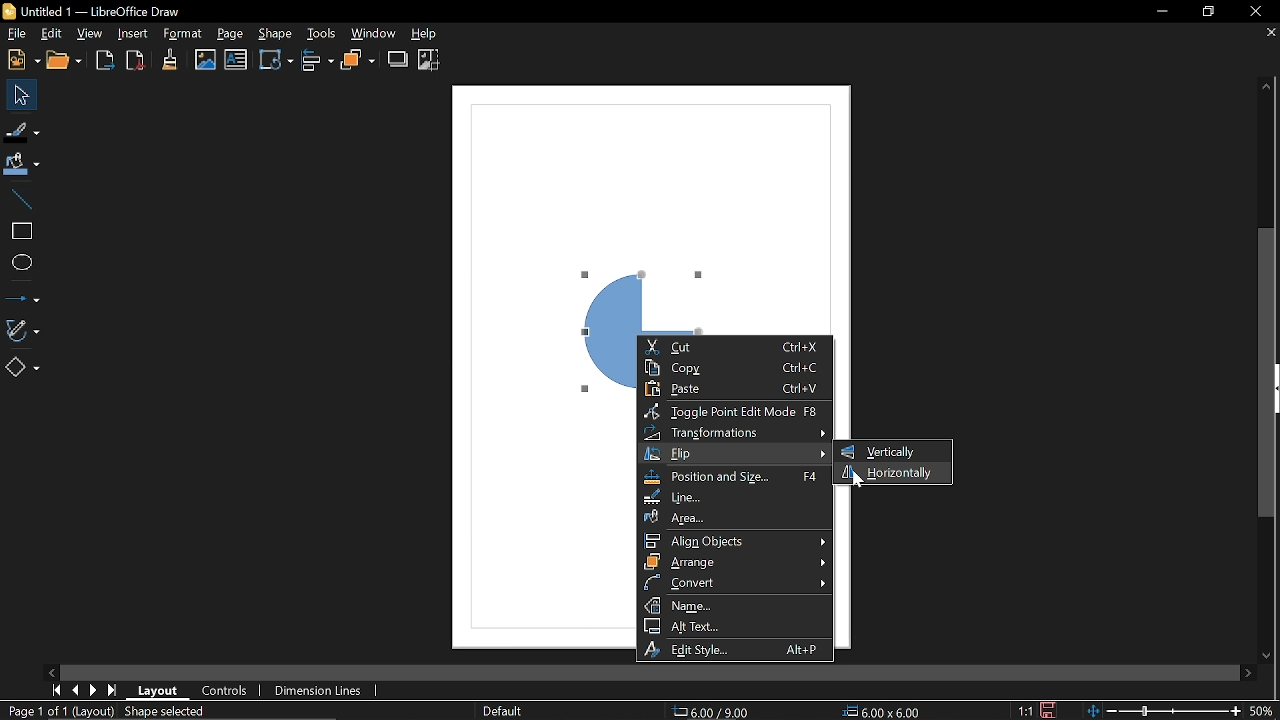  I want to click on Tools, so click(322, 34).